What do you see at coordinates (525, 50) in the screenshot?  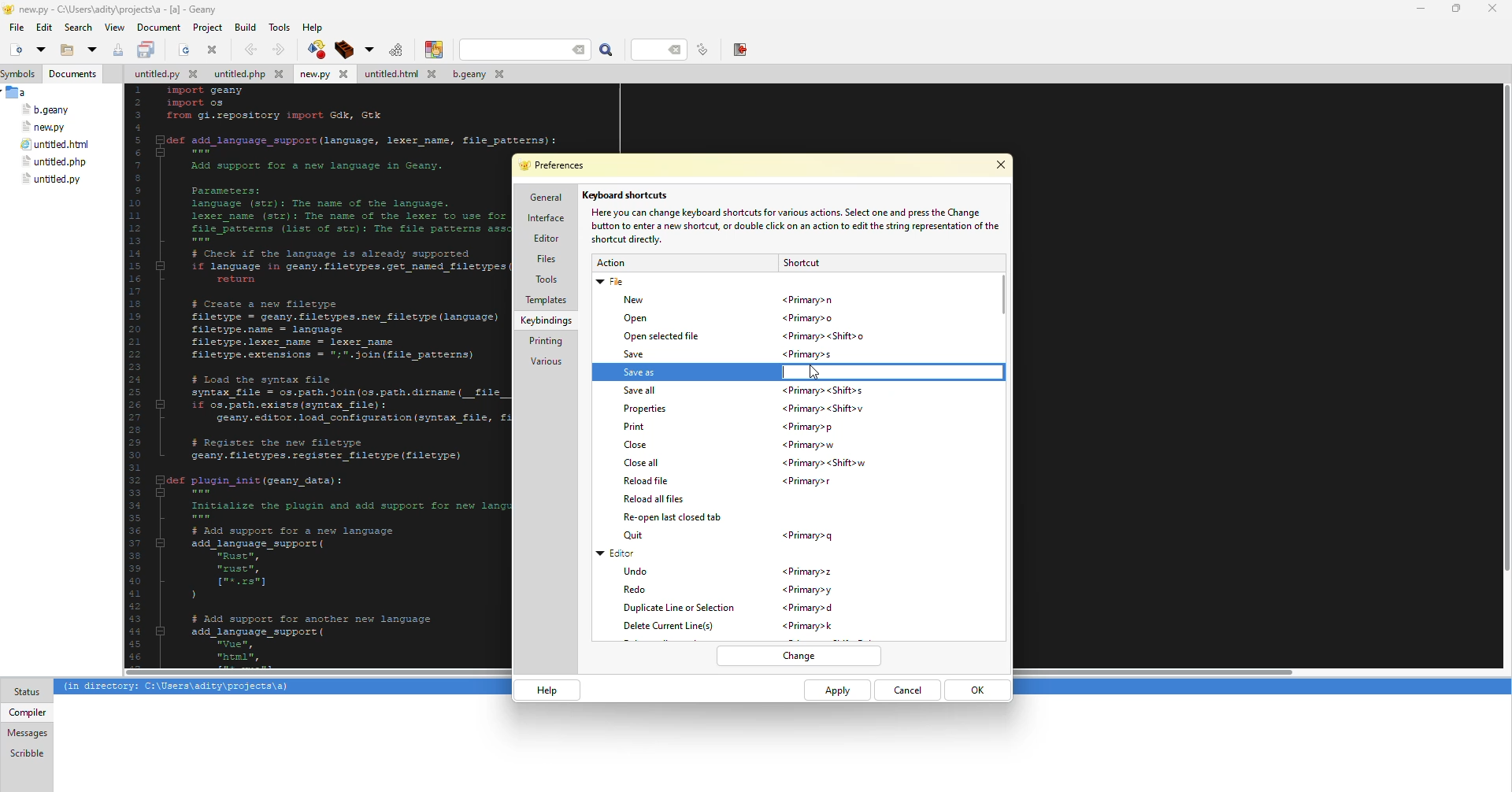 I see `search` at bounding box center [525, 50].